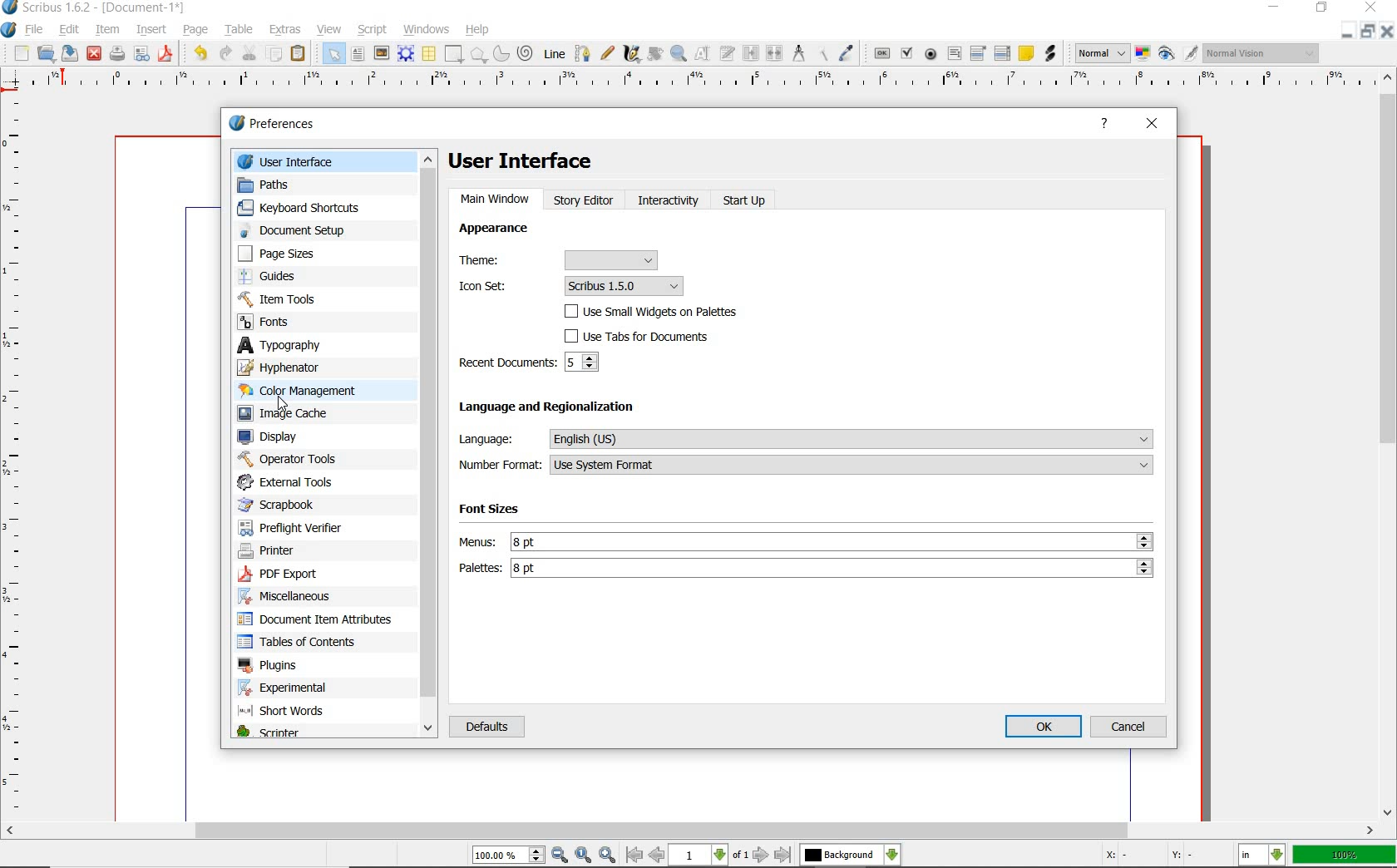 This screenshot has height=868, width=1397. I want to click on minimize, so click(1348, 33).